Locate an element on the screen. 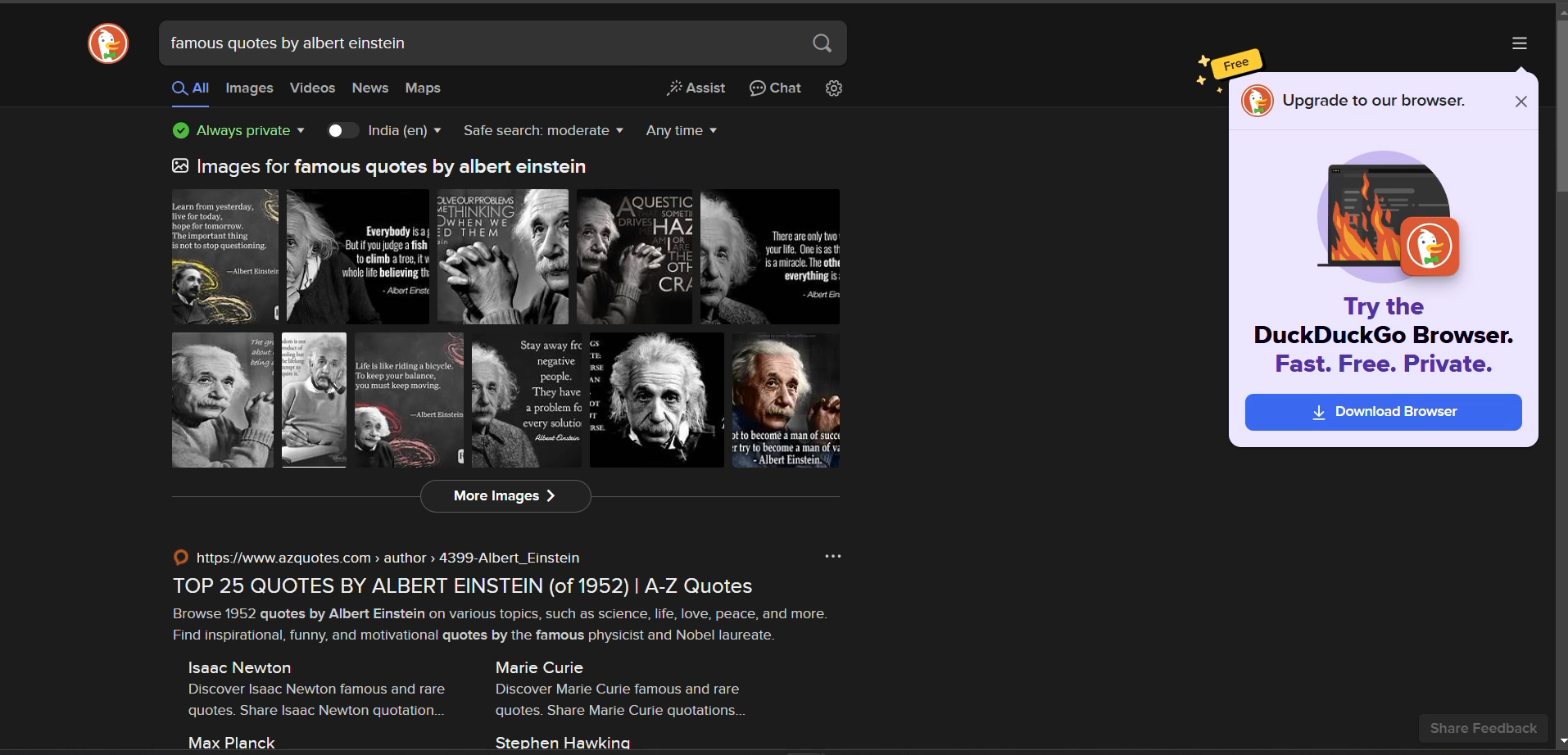 This screenshot has height=755, width=1568. options is located at coordinates (1517, 43).